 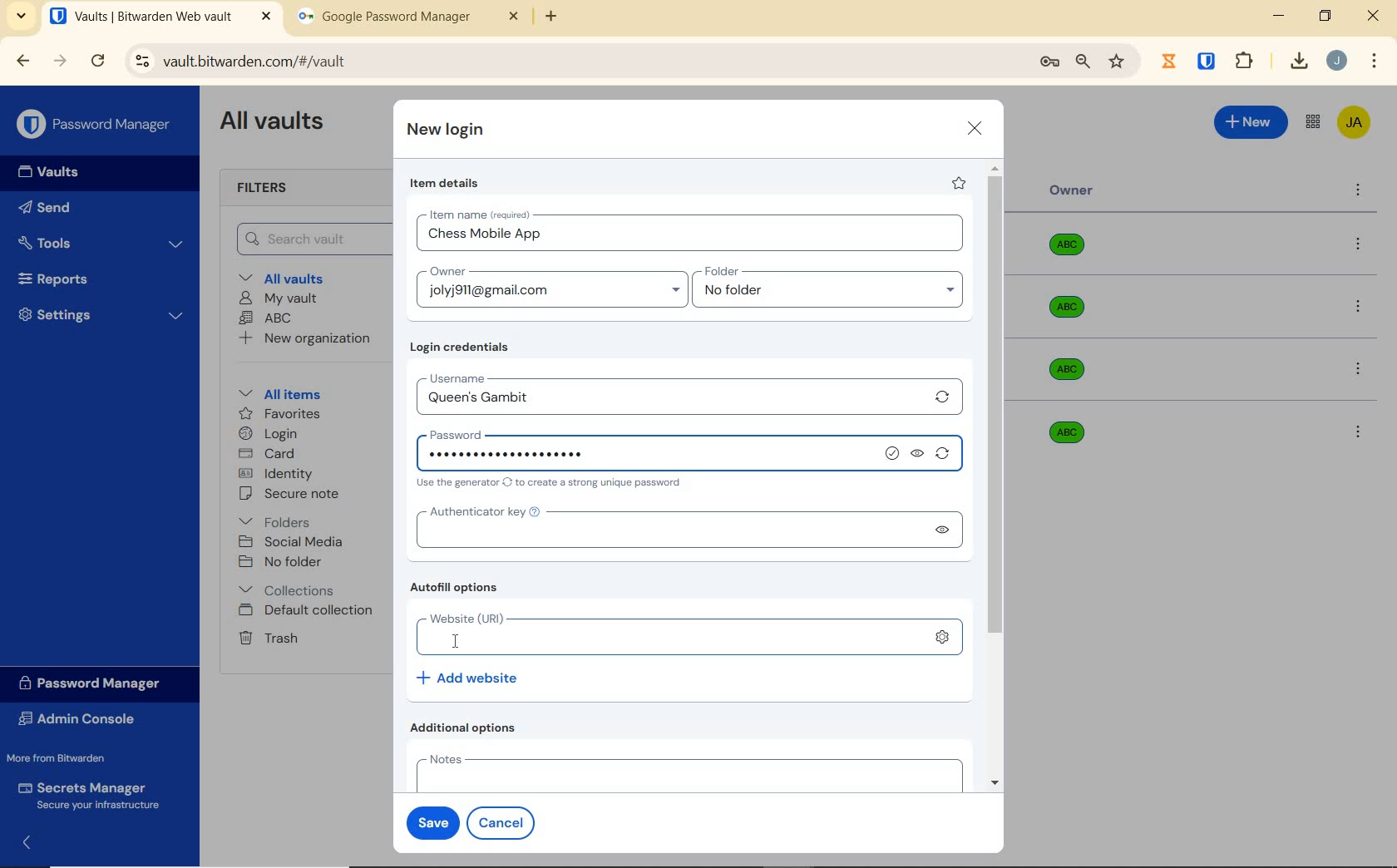 I want to click on favorites, so click(x=281, y=416).